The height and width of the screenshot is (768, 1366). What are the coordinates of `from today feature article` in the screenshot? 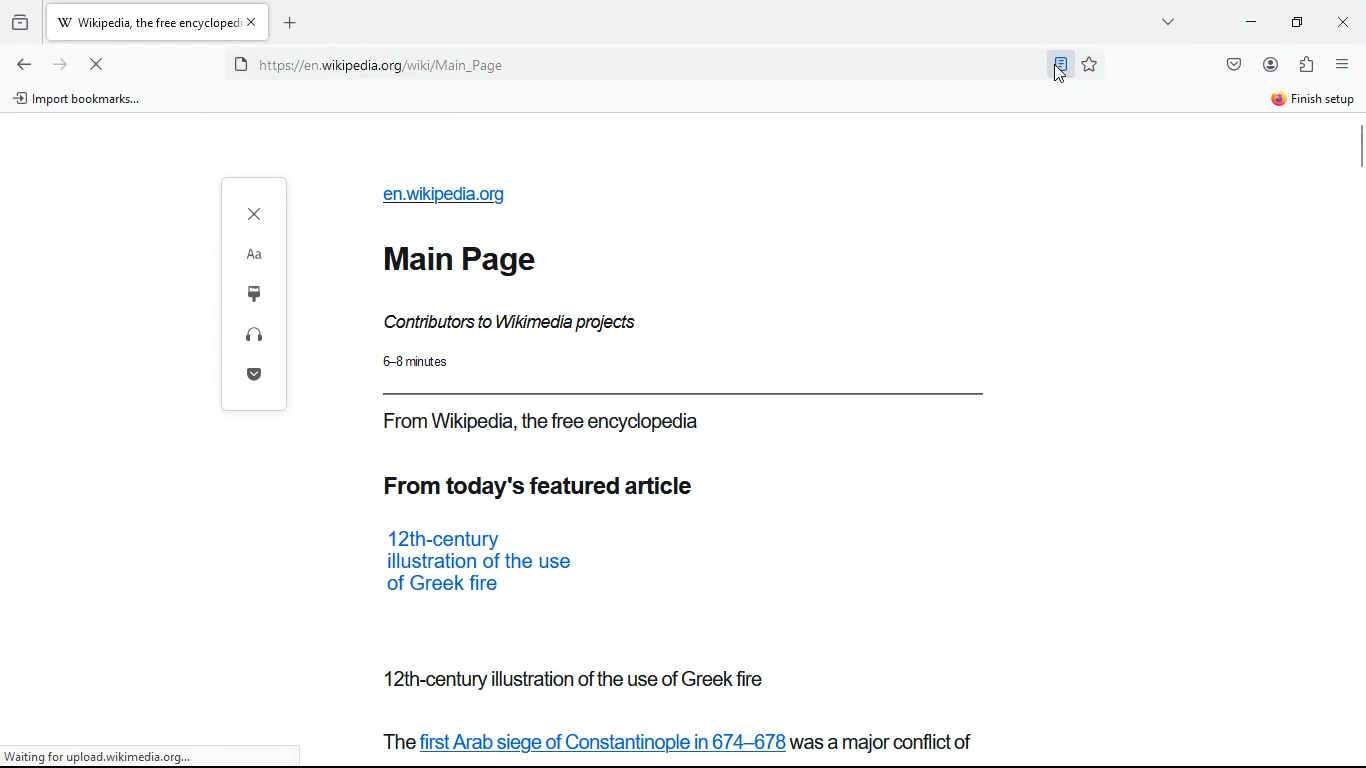 It's located at (557, 488).